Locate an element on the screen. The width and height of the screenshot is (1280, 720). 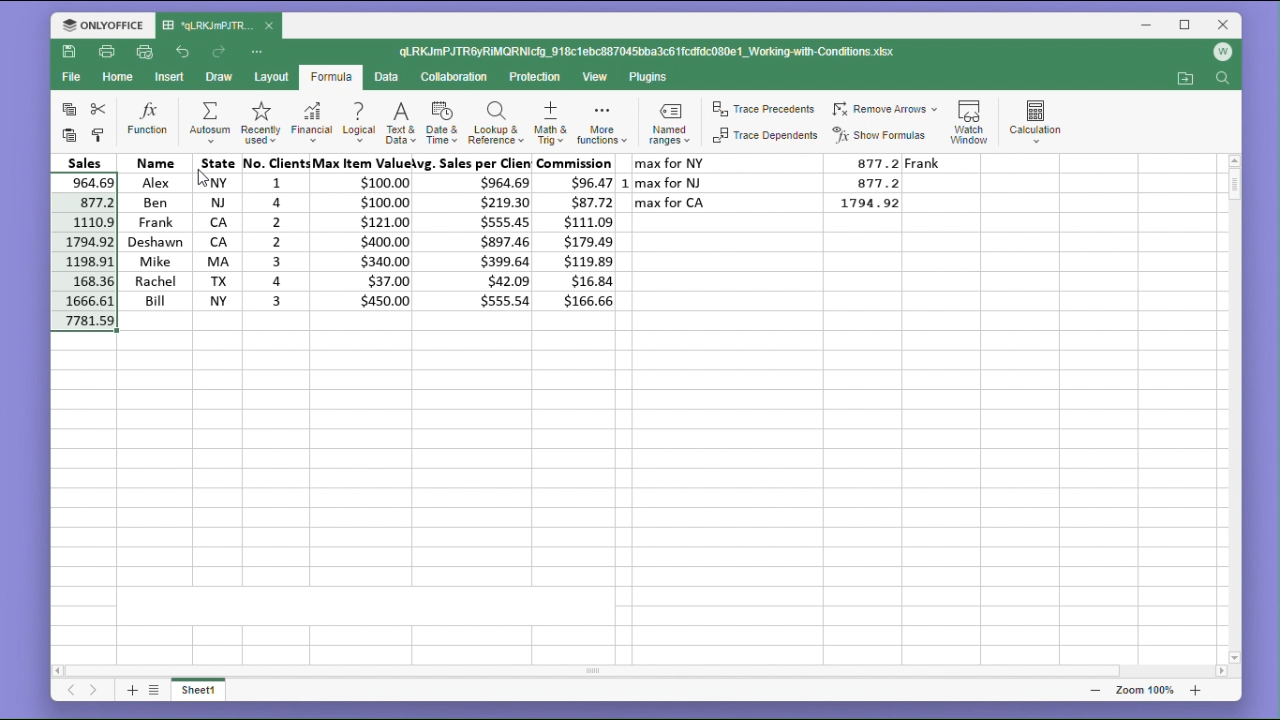
quick print is located at coordinates (146, 53).